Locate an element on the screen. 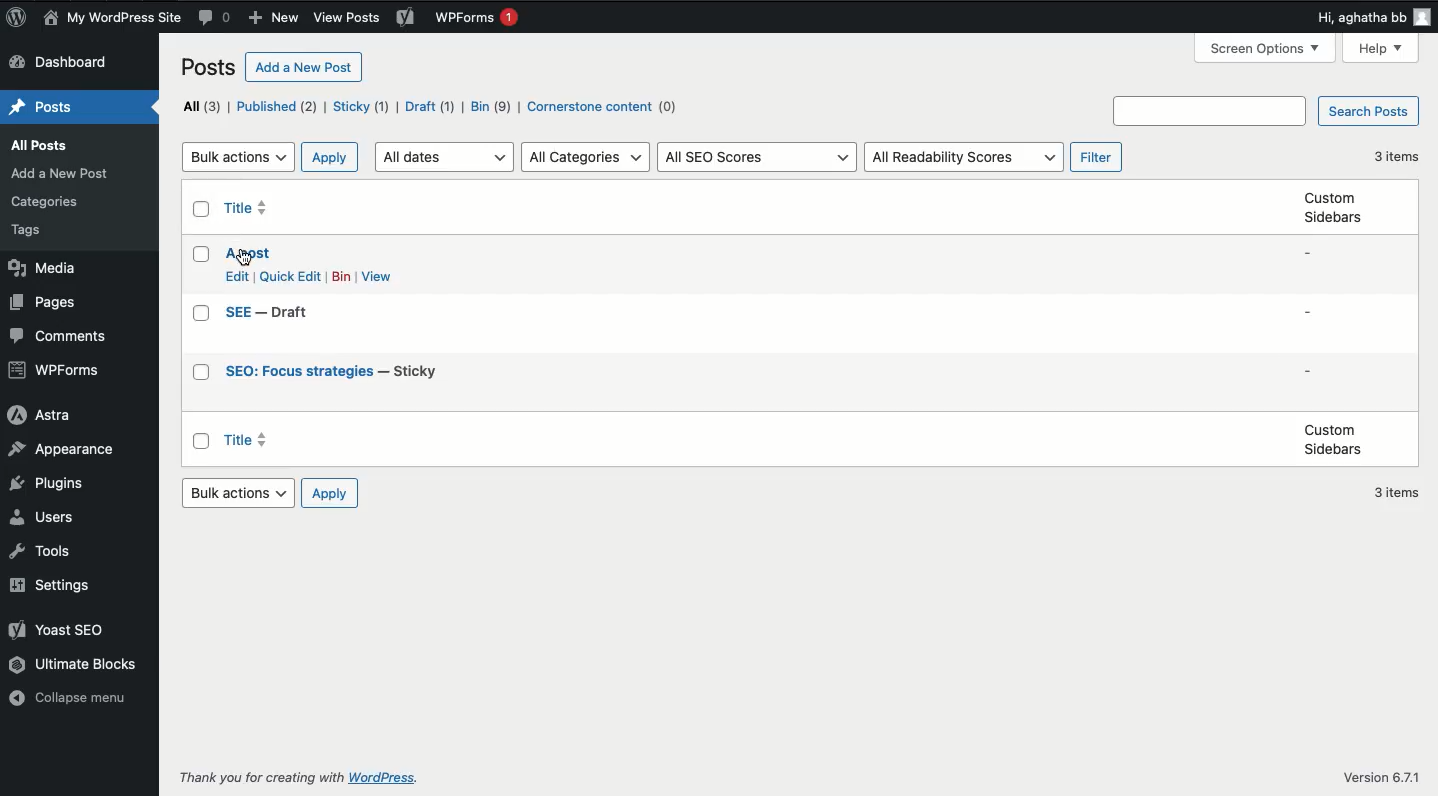  Bulk actions is located at coordinates (236, 156).